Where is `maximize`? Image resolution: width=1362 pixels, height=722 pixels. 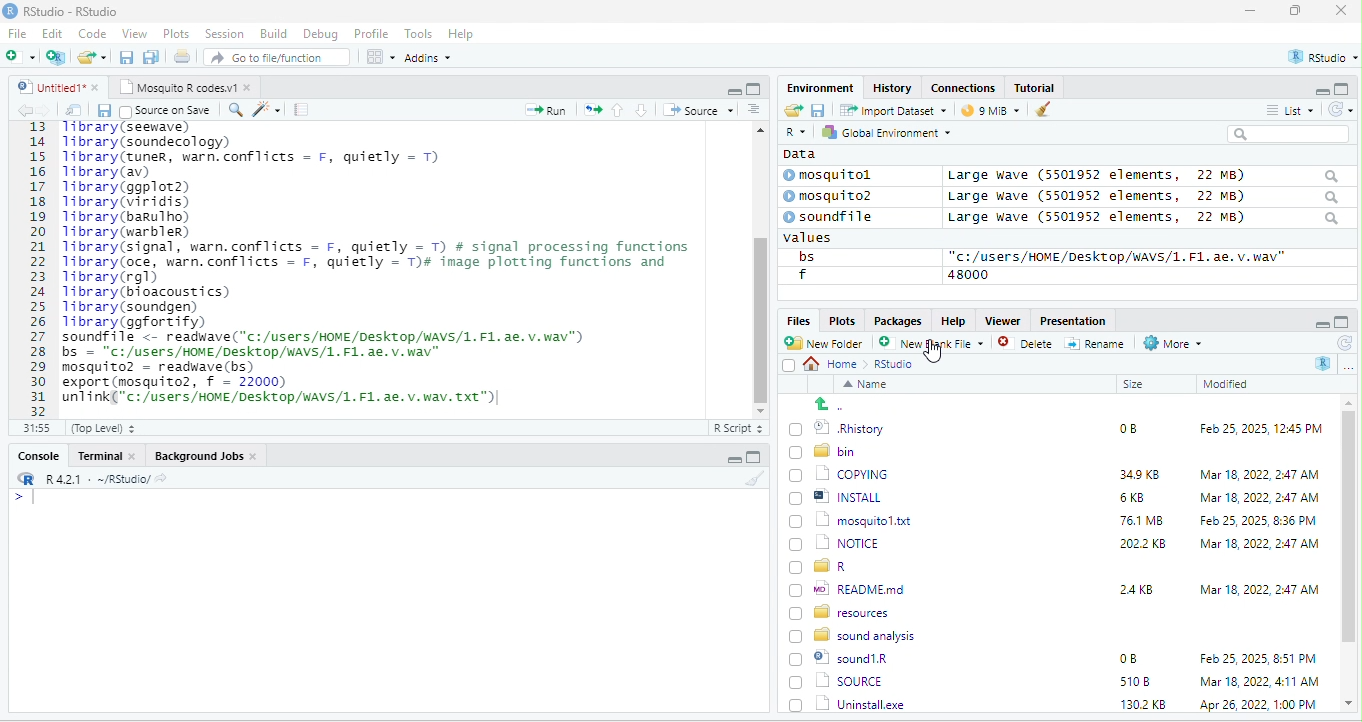 maximize is located at coordinates (1299, 12).